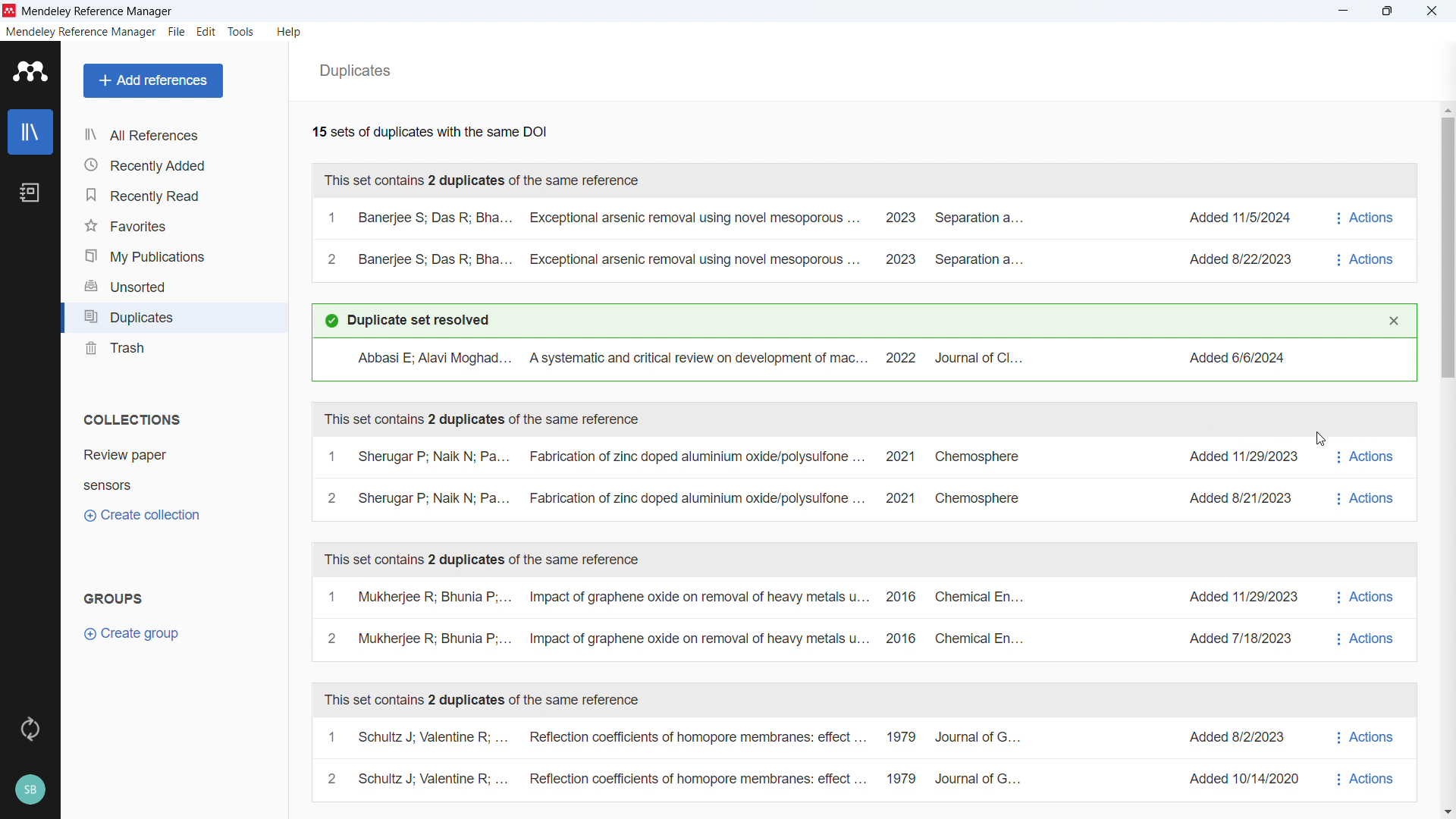 This screenshot has height=819, width=1456. What do you see at coordinates (1447, 810) in the screenshot?
I see `Scroll down ` at bounding box center [1447, 810].